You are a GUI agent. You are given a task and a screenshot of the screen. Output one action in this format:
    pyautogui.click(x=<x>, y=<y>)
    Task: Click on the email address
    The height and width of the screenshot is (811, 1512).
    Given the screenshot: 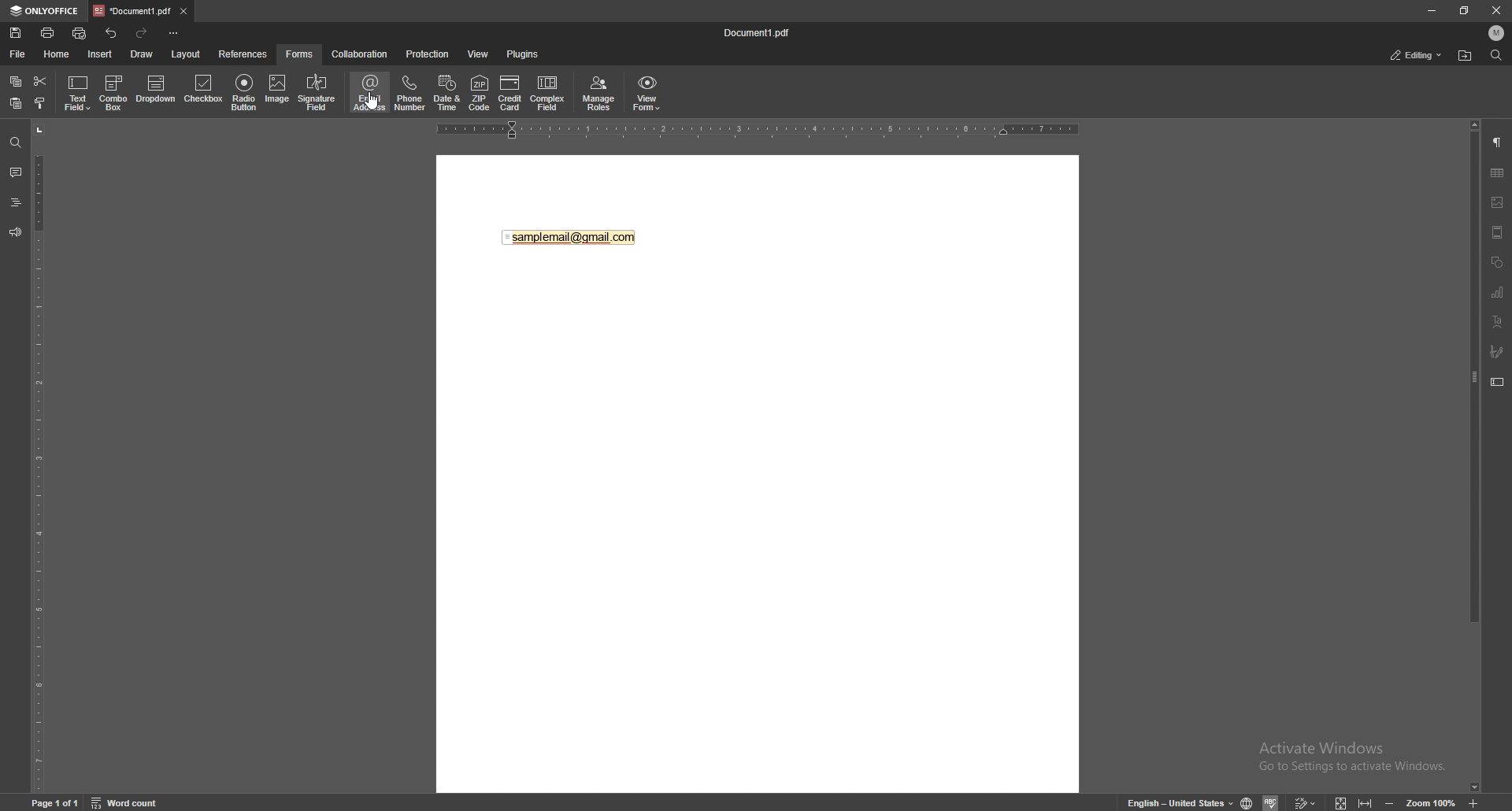 What is the action you would take?
    pyautogui.click(x=370, y=93)
    